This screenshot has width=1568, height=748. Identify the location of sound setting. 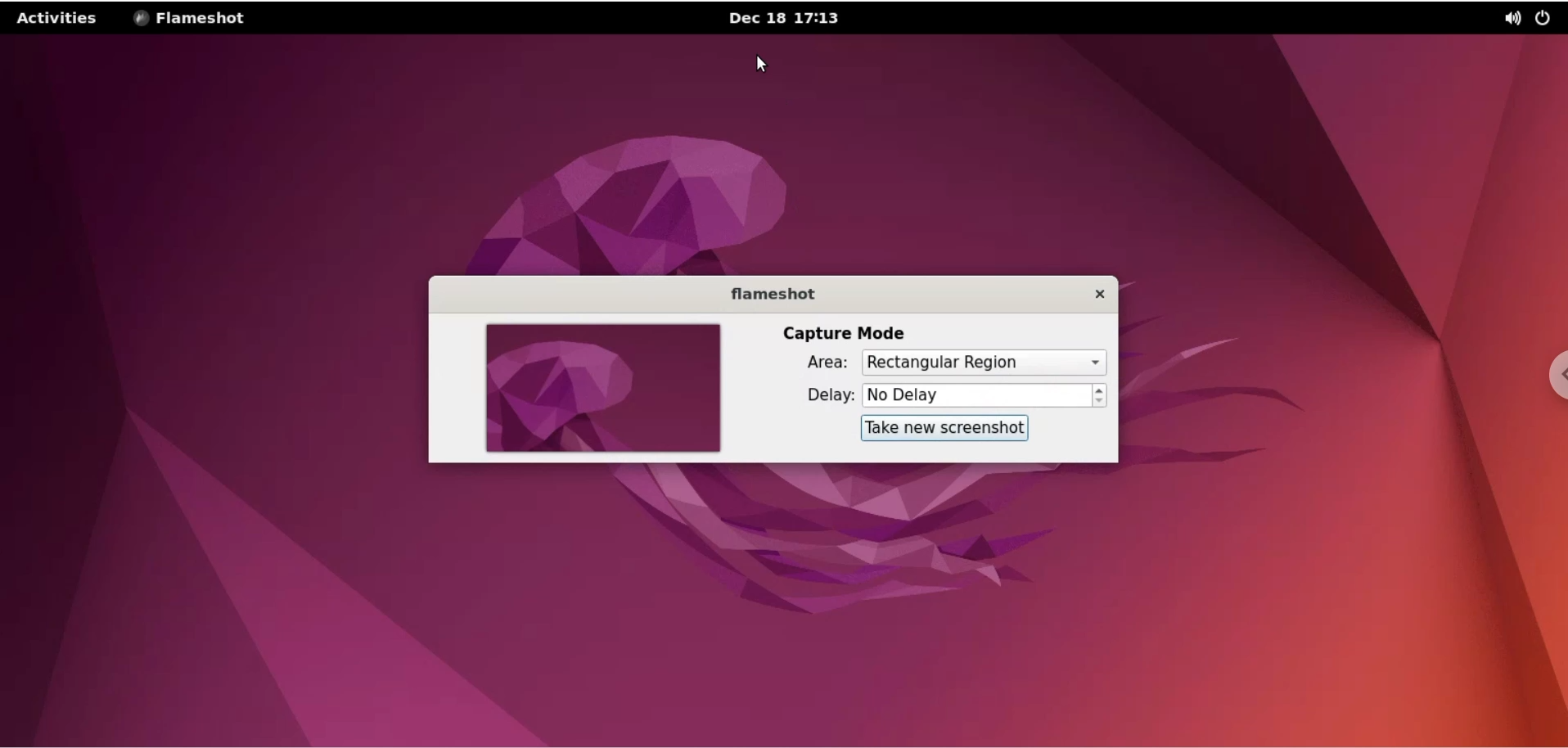
(1505, 18).